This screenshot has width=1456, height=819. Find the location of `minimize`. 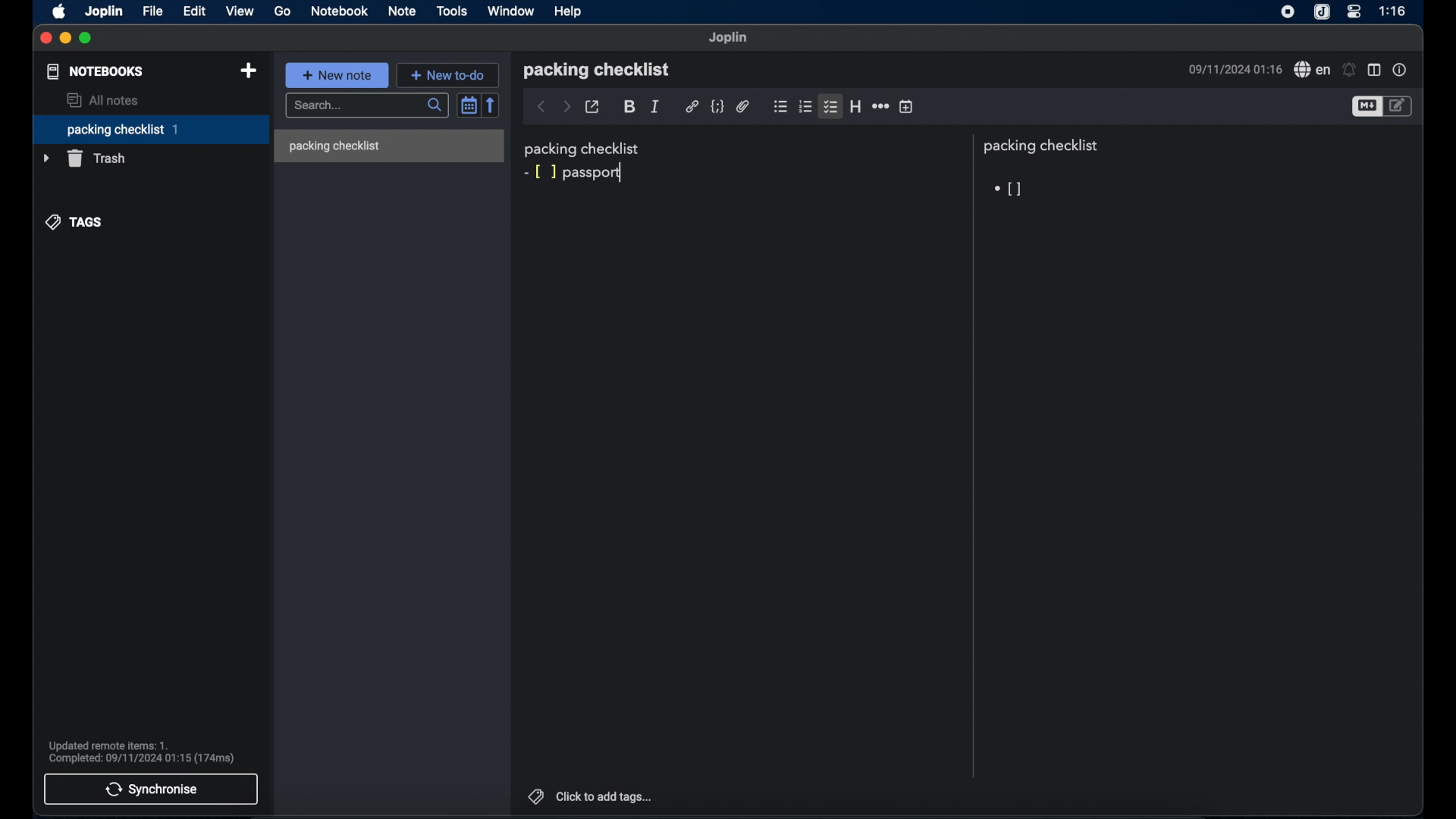

minimize is located at coordinates (65, 39).